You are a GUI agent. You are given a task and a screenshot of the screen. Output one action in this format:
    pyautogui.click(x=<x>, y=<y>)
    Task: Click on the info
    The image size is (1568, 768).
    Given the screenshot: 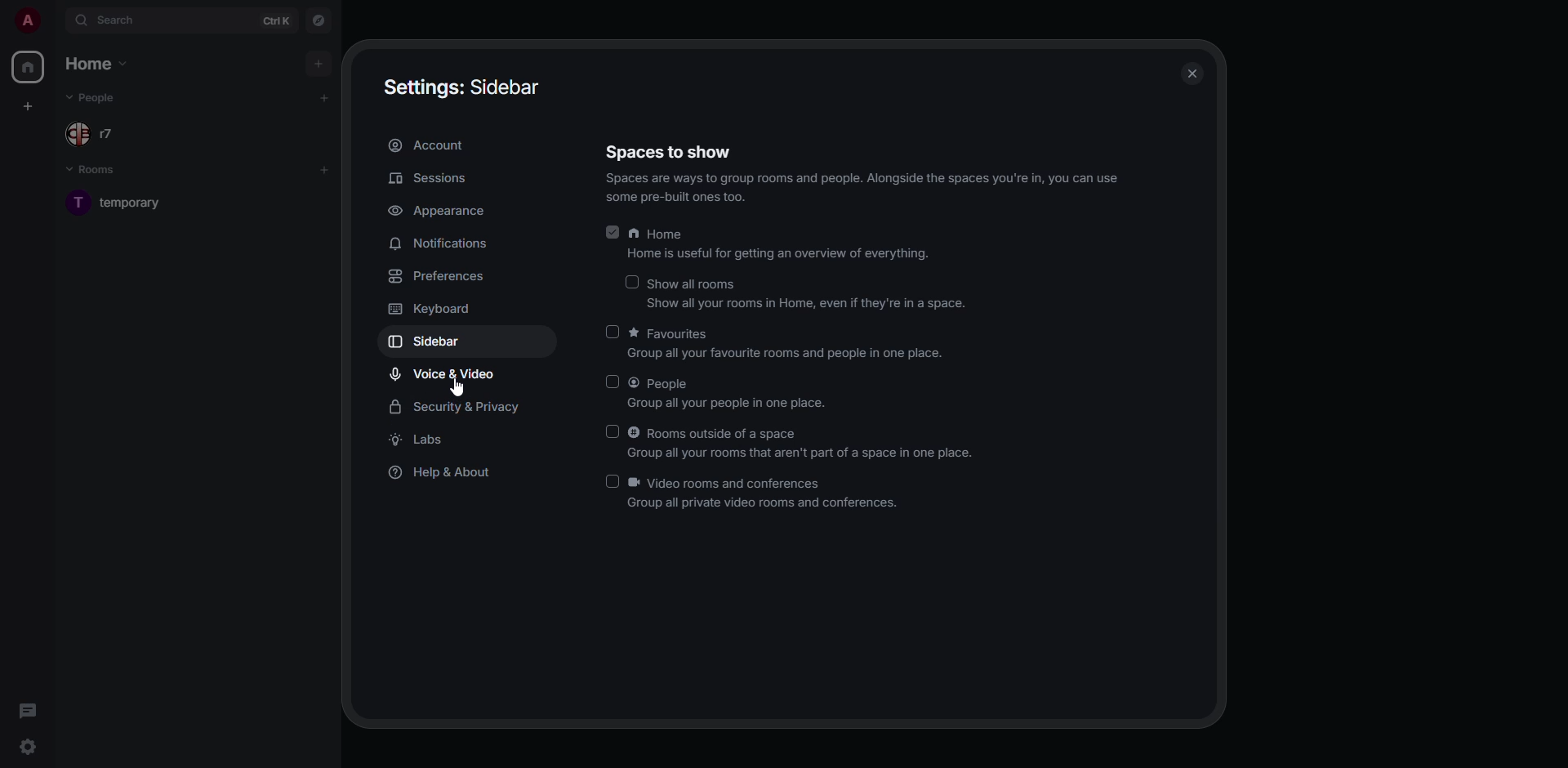 What is the action you would take?
    pyautogui.click(x=869, y=187)
    